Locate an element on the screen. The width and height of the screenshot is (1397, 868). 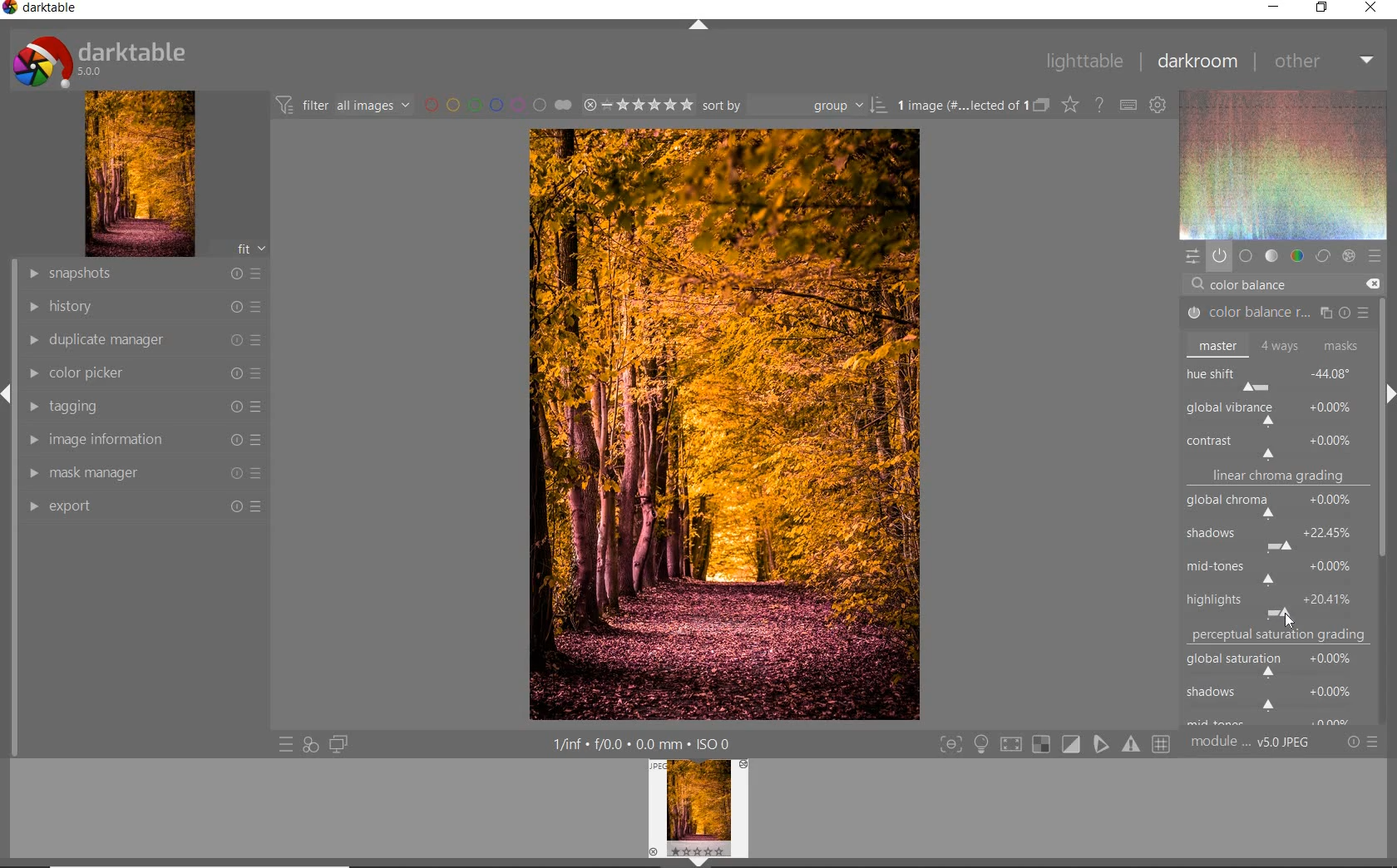
toggle modes is located at coordinates (1051, 744).